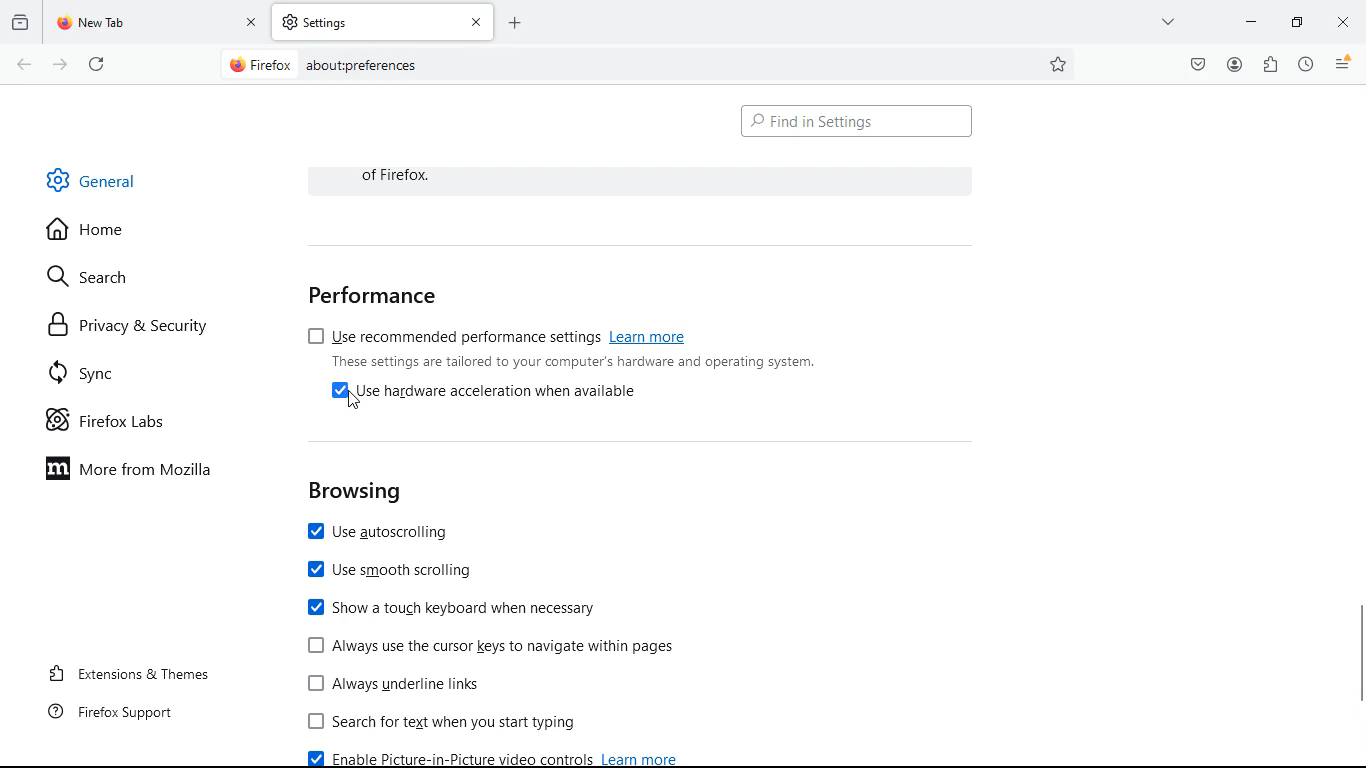 This screenshot has width=1366, height=768. Describe the element at coordinates (97, 63) in the screenshot. I see `refresh` at that location.